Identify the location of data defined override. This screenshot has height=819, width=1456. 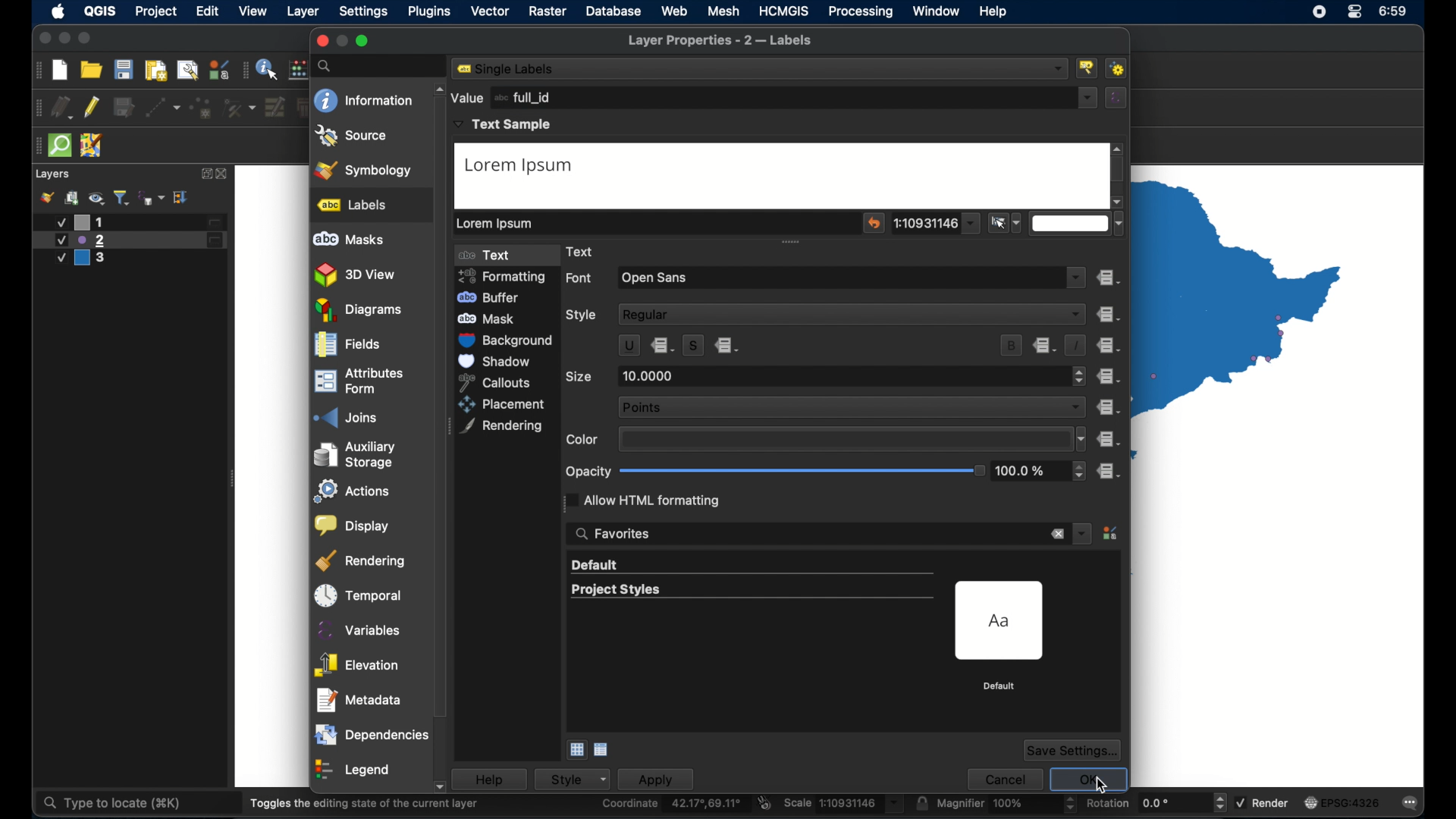
(1108, 376).